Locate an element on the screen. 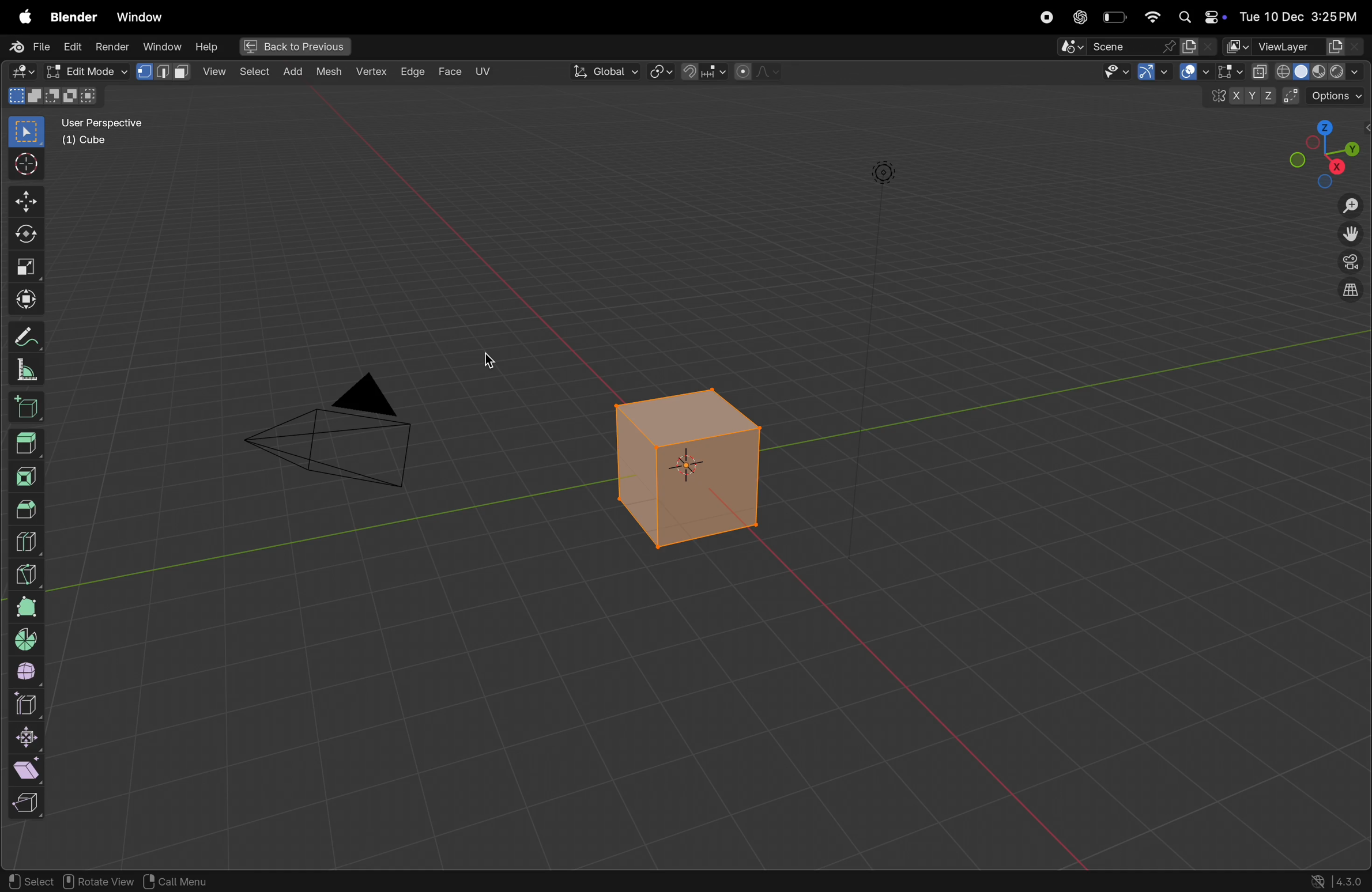 Image resolution: width=1372 pixels, height=892 pixels. smooth edge is located at coordinates (29, 674).